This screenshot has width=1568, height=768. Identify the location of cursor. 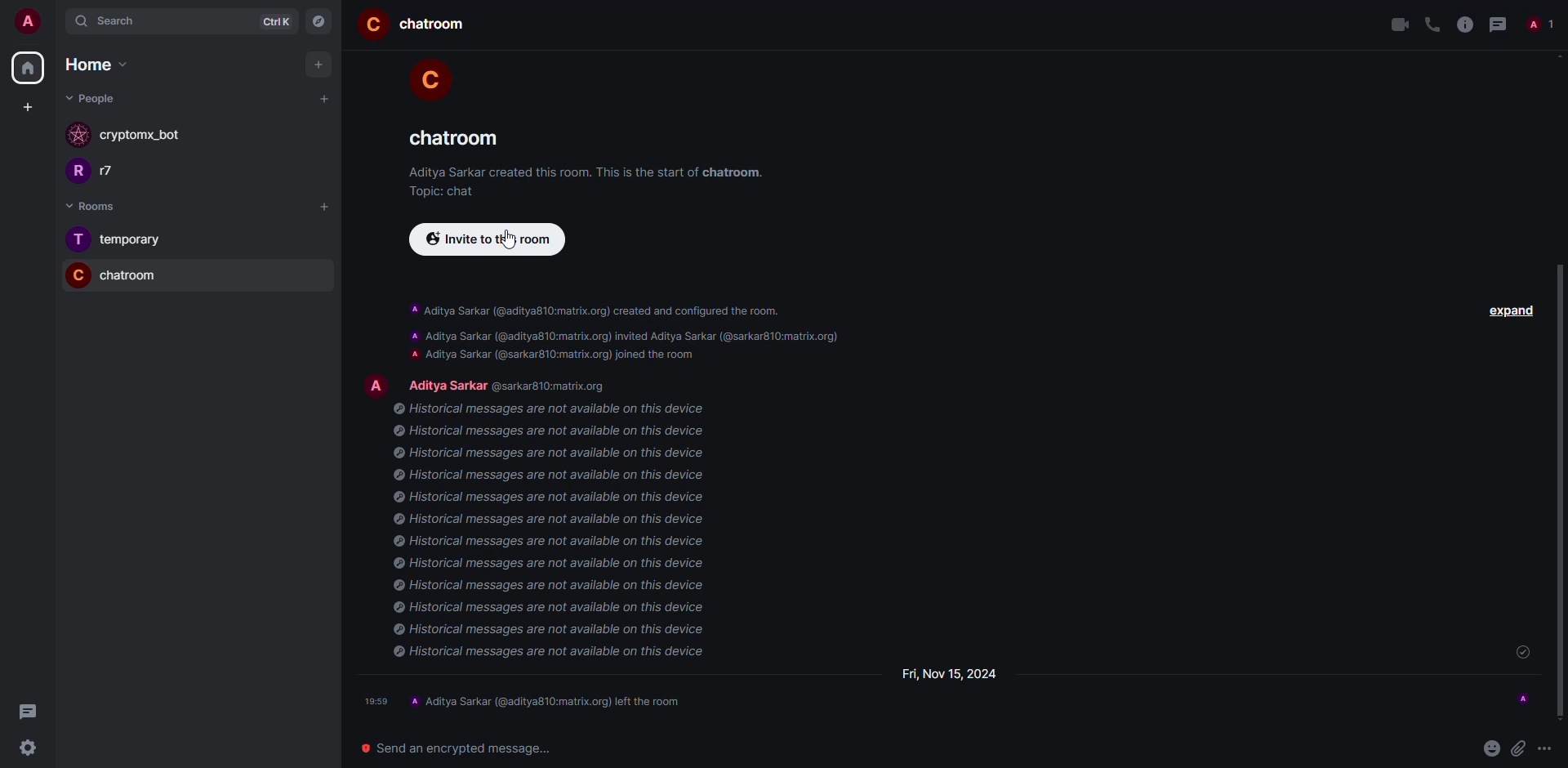
(506, 241).